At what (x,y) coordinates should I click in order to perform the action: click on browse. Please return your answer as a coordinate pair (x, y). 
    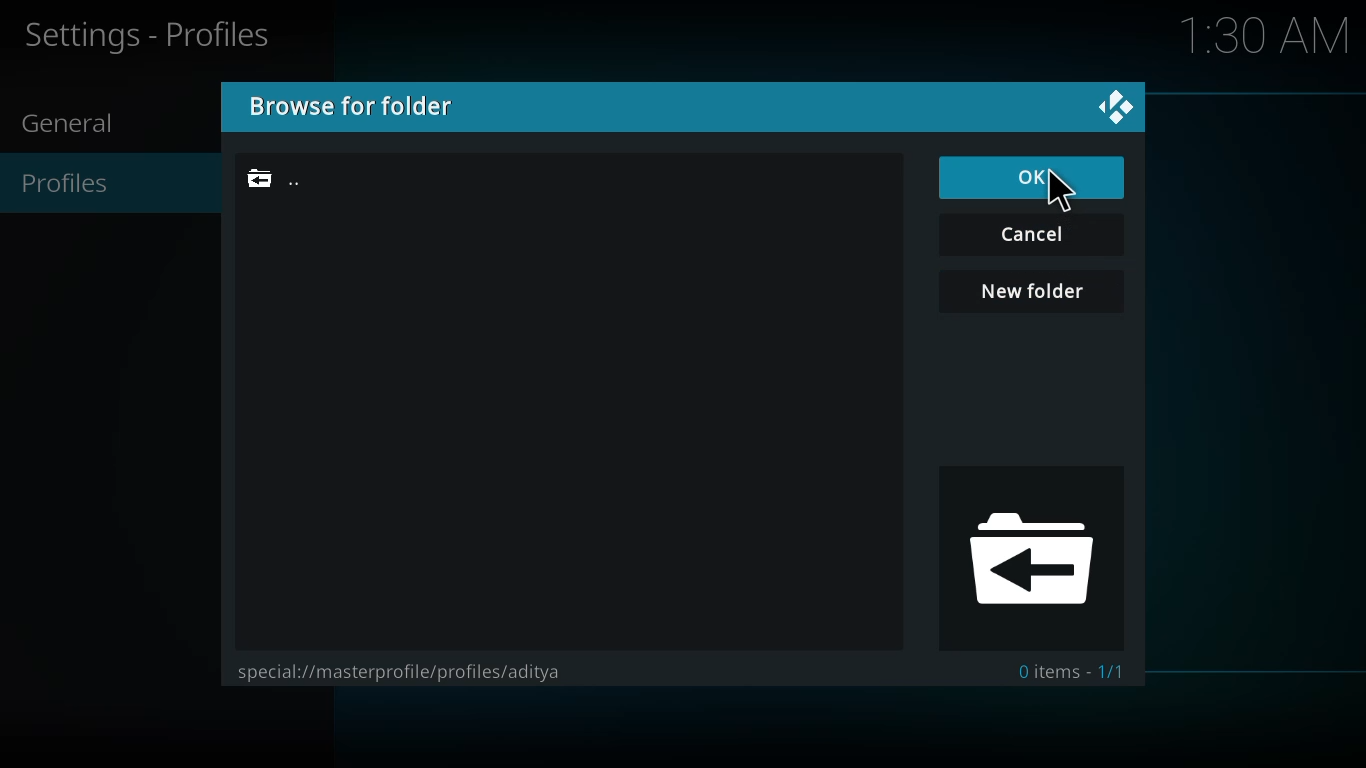
    Looking at the image, I should click on (353, 105).